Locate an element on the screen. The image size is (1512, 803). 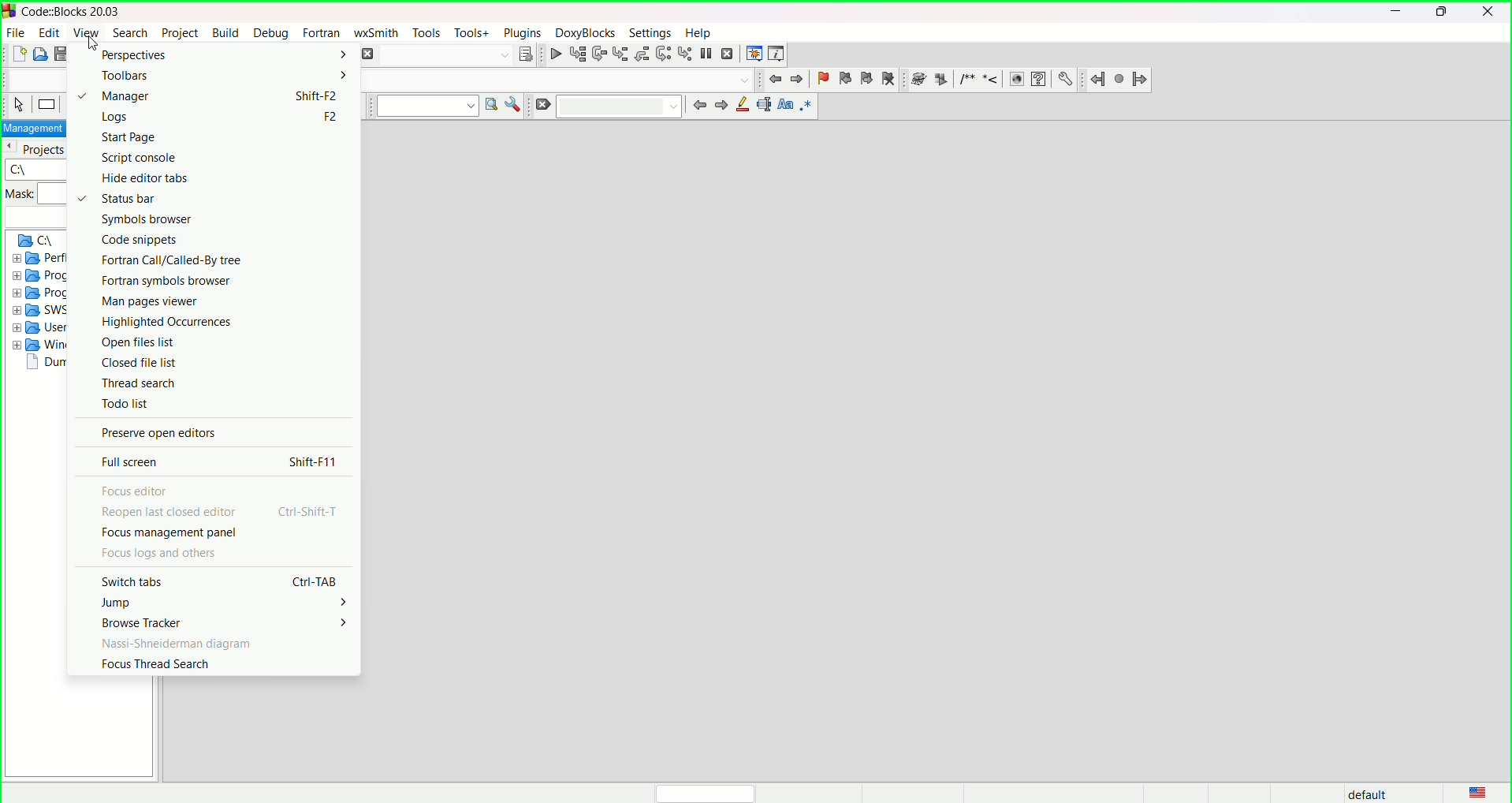
minimize is located at coordinates (1395, 13).